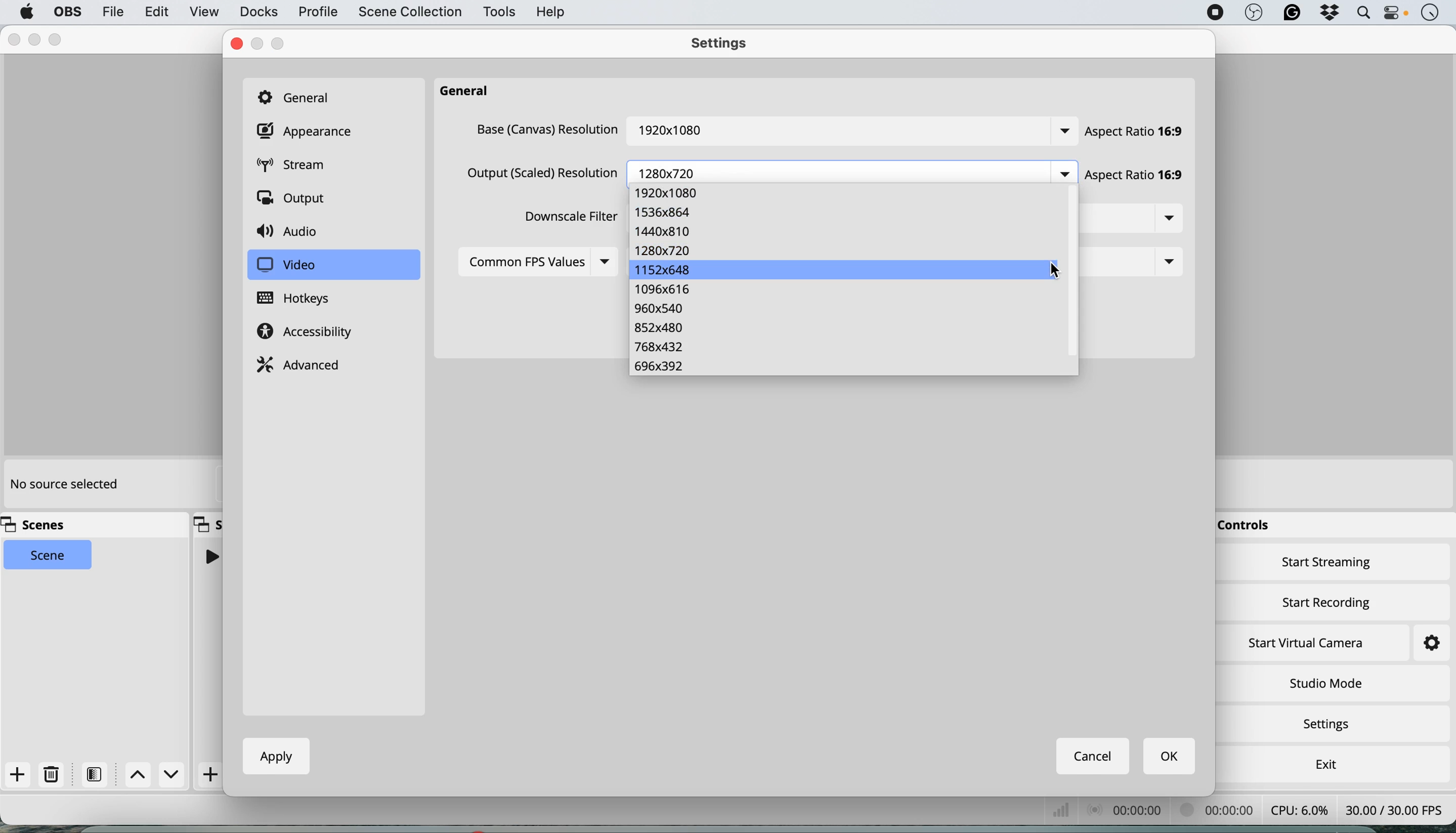 Image resolution: width=1456 pixels, height=833 pixels. I want to click on grammarly, so click(1292, 14).